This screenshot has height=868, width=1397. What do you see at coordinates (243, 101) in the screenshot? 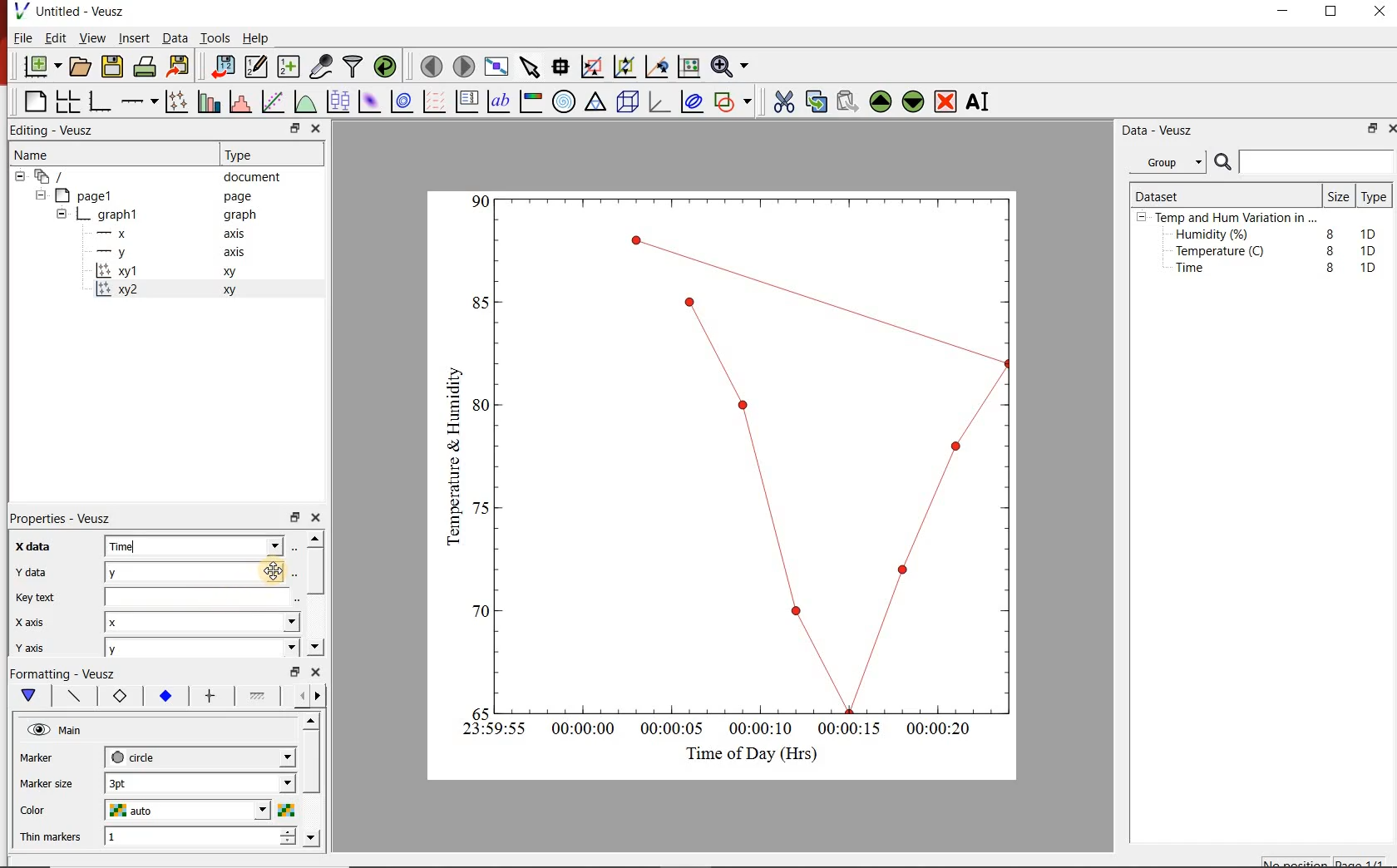
I see `histogram of a dataset` at bounding box center [243, 101].